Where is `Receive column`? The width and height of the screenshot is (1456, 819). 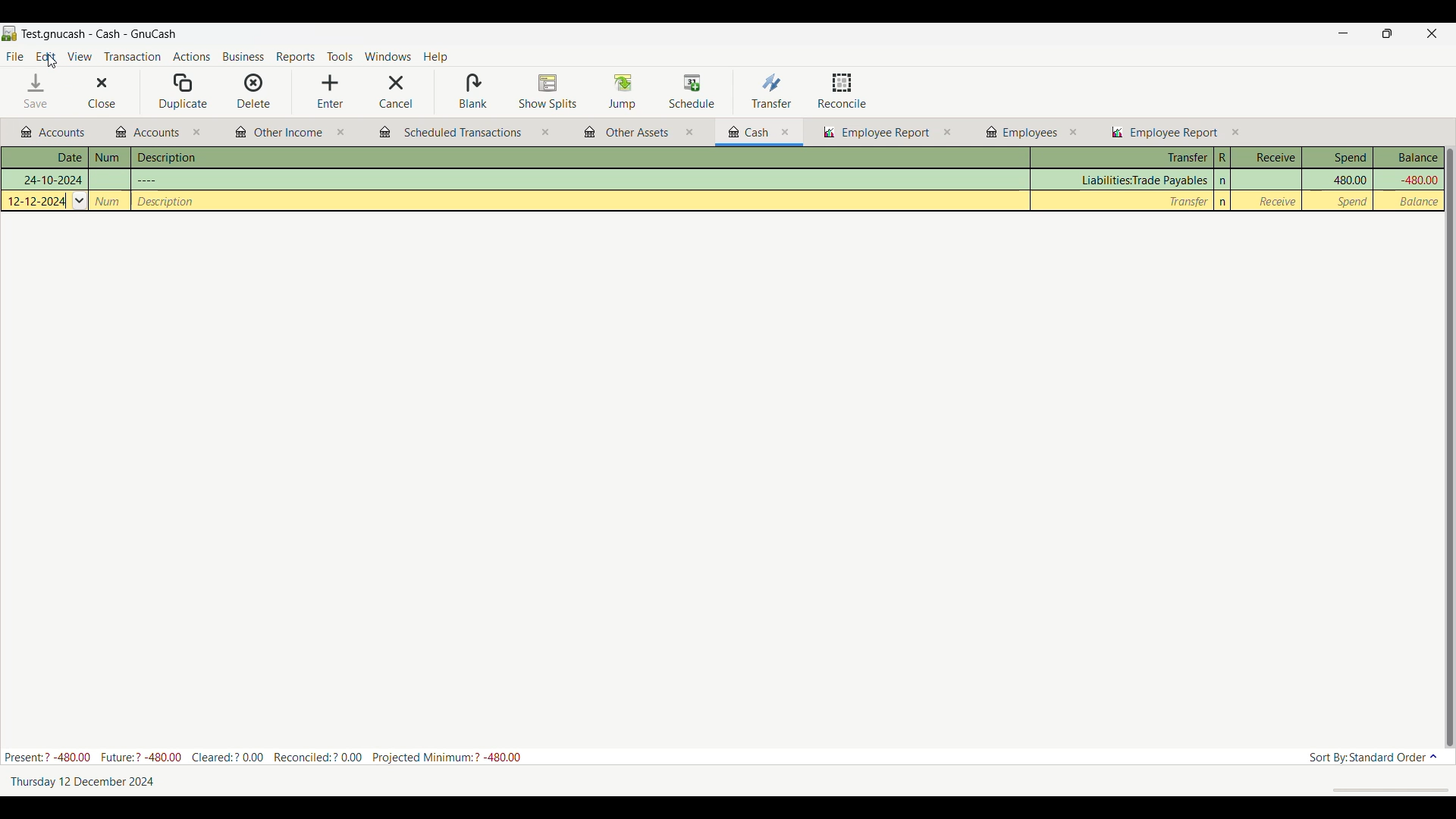 Receive column is located at coordinates (1266, 158).